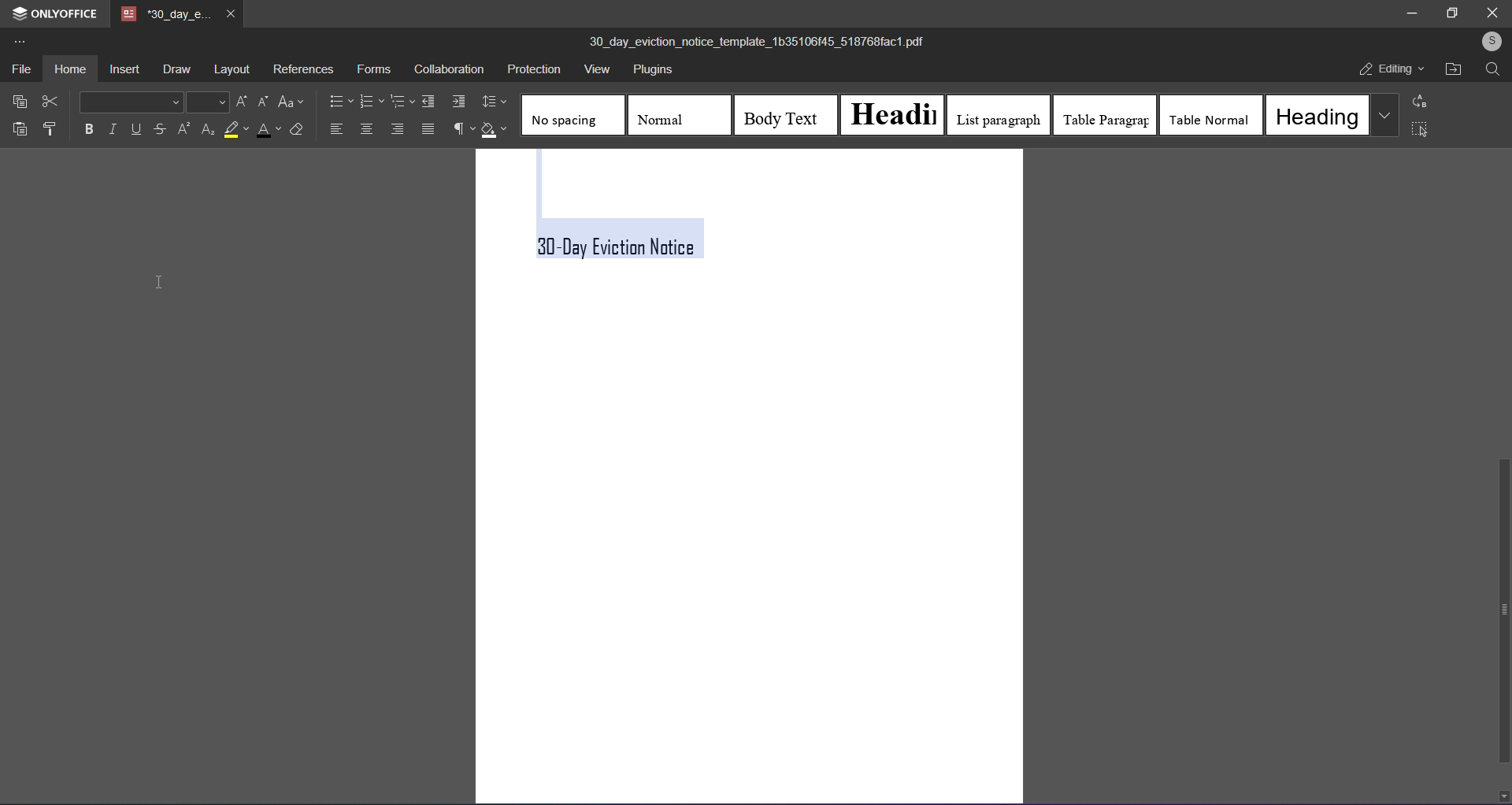 The width and height of the screenshot is (1512, 805). Describe the element at coordinates (1451, 15) in the screenshot. I see `maximize` at that location.